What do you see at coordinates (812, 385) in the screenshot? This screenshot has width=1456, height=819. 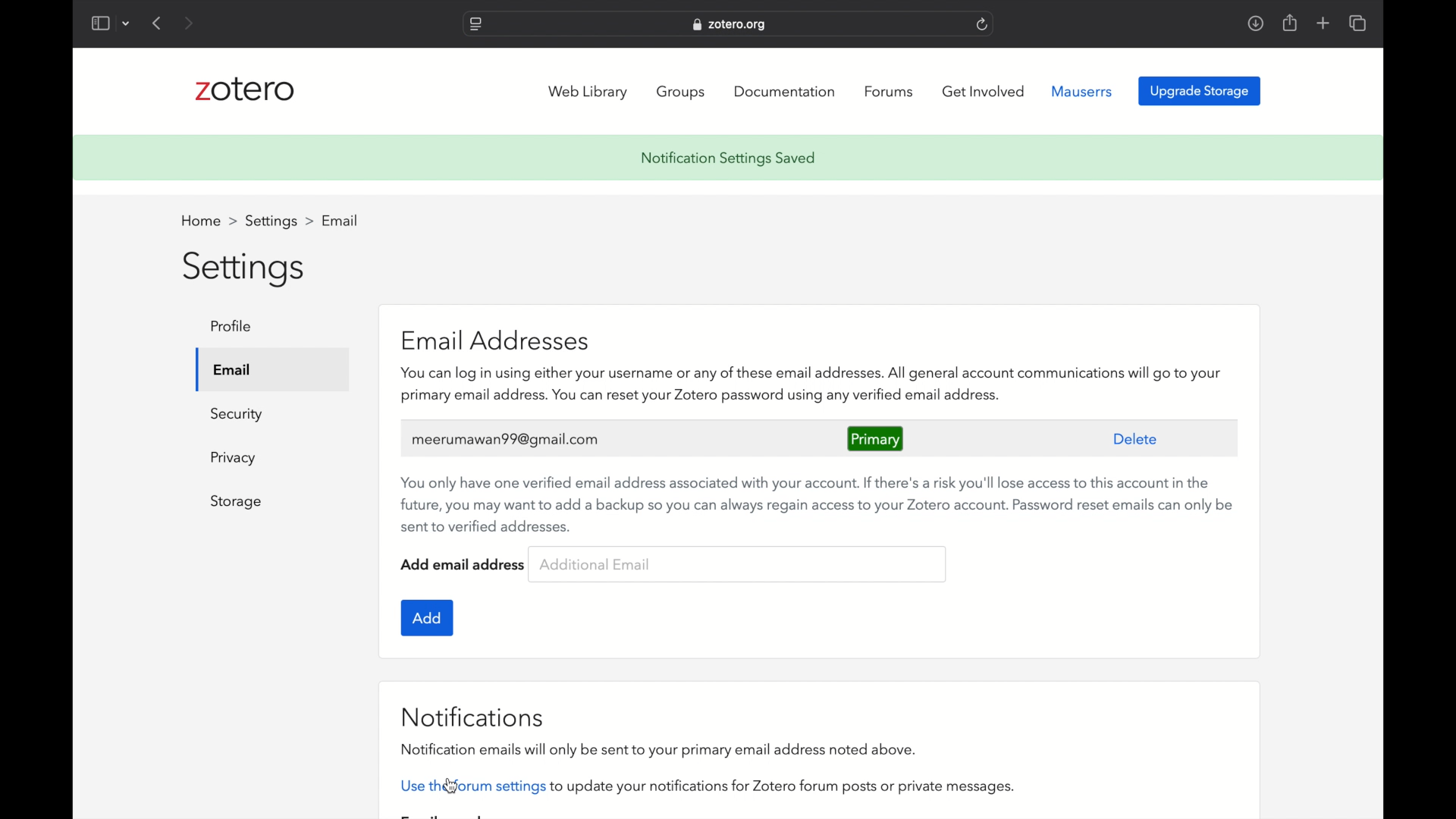 I see `You can log In using either your username or any of these email addresses. All general account communications will go to your
primary email address. You can reset your Zotero password using any verified email address.` at bounding box center [812, 385].